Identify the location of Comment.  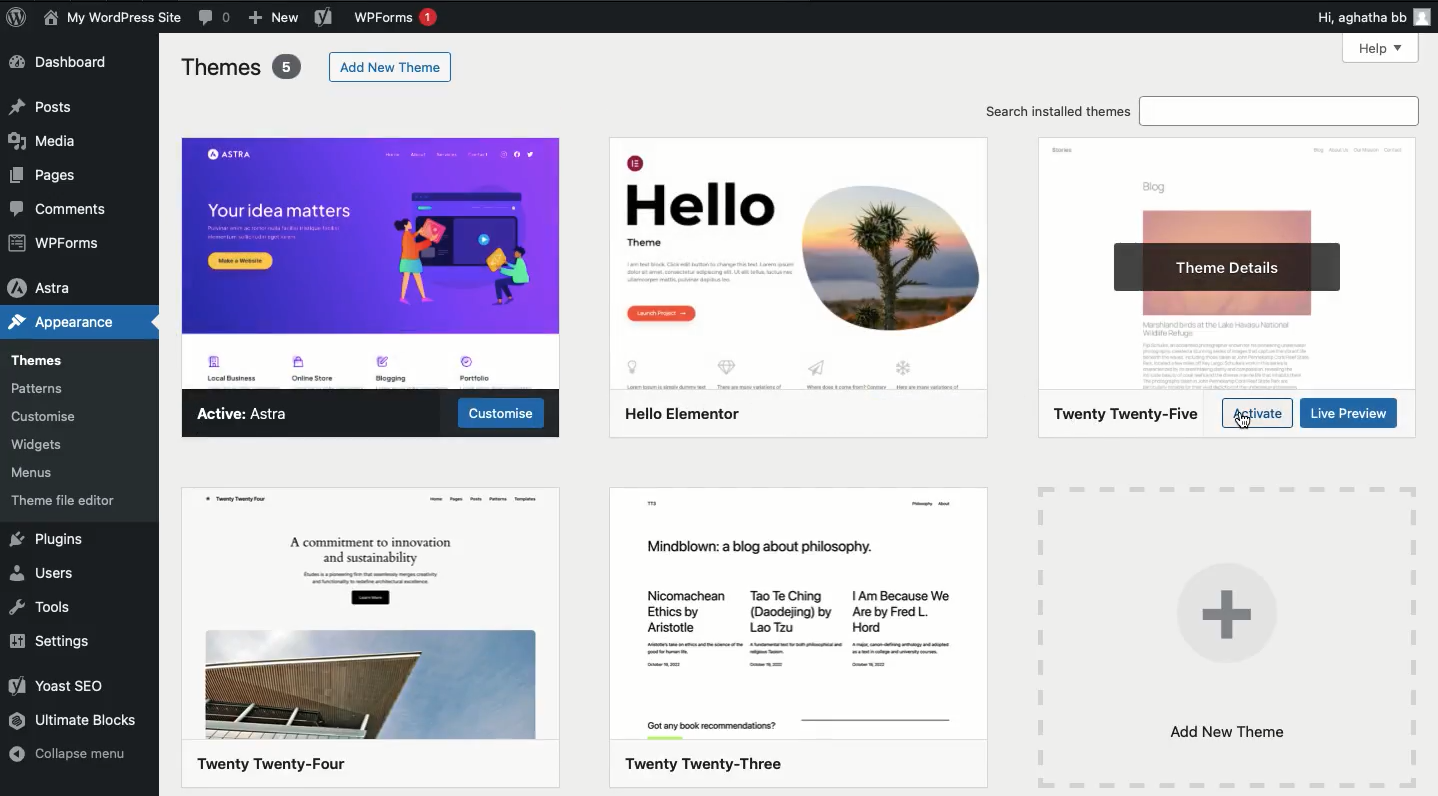
(218, 18).